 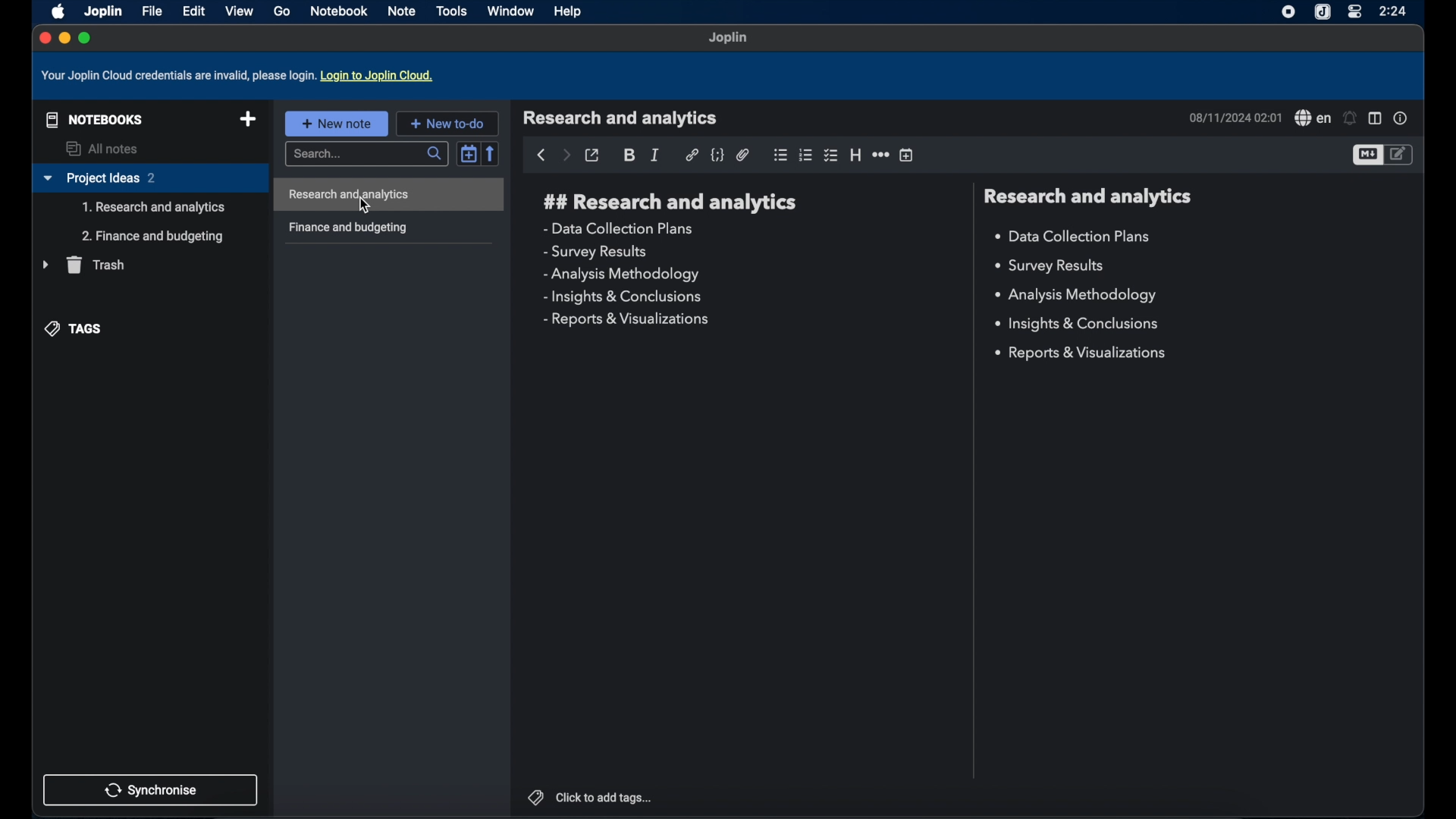 What do you see at coordinates (91, 118) in the screenshot?
I see `notebooks` at bounding box center [91, 118].